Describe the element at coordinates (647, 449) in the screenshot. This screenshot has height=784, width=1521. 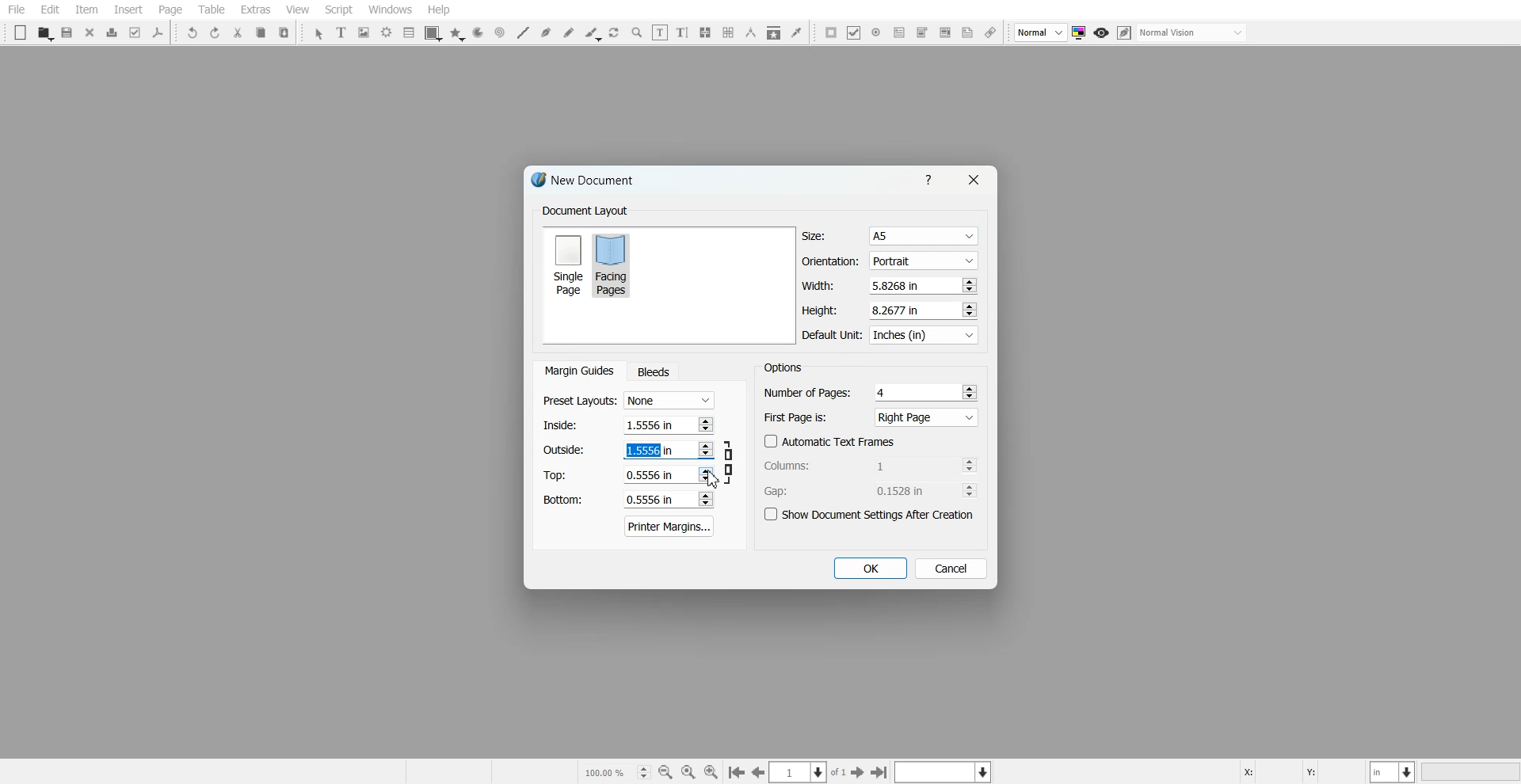
I see `1.5556 in` at that location.